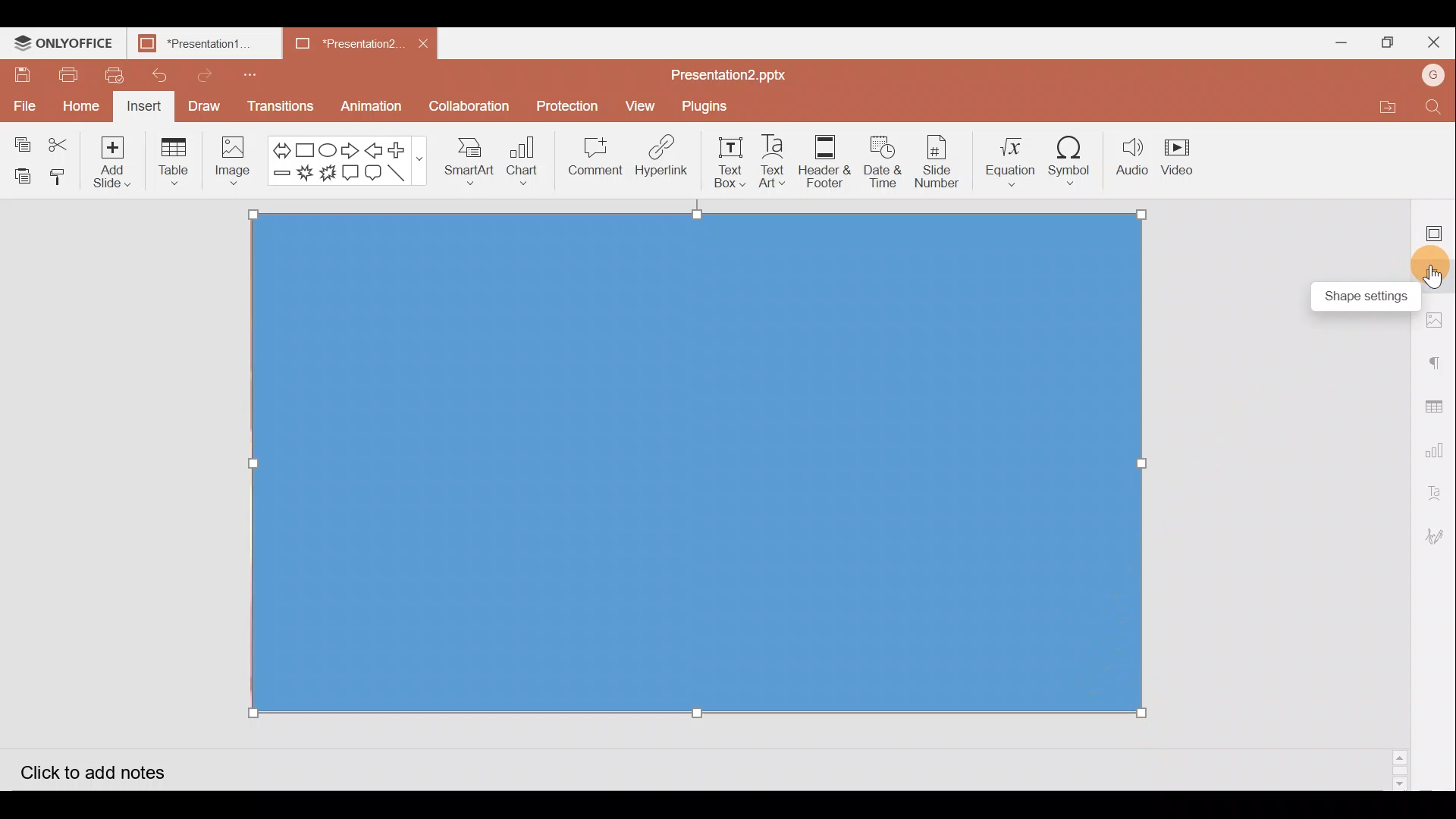  Describe the element at coordinates (61, 176) in the screenshot. I see `Copy style` at that location.